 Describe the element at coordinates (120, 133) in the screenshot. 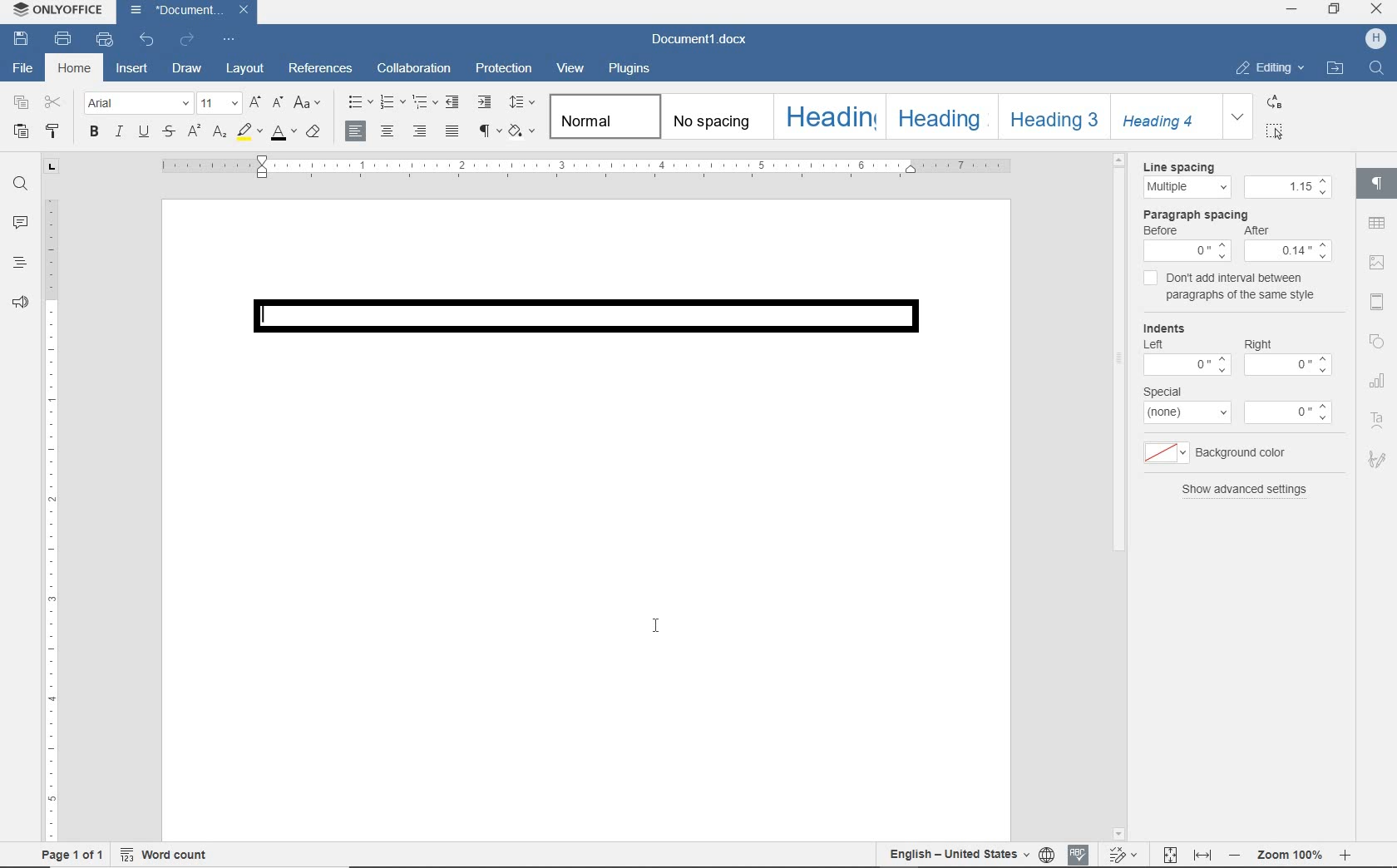

I see `italic` at that location.